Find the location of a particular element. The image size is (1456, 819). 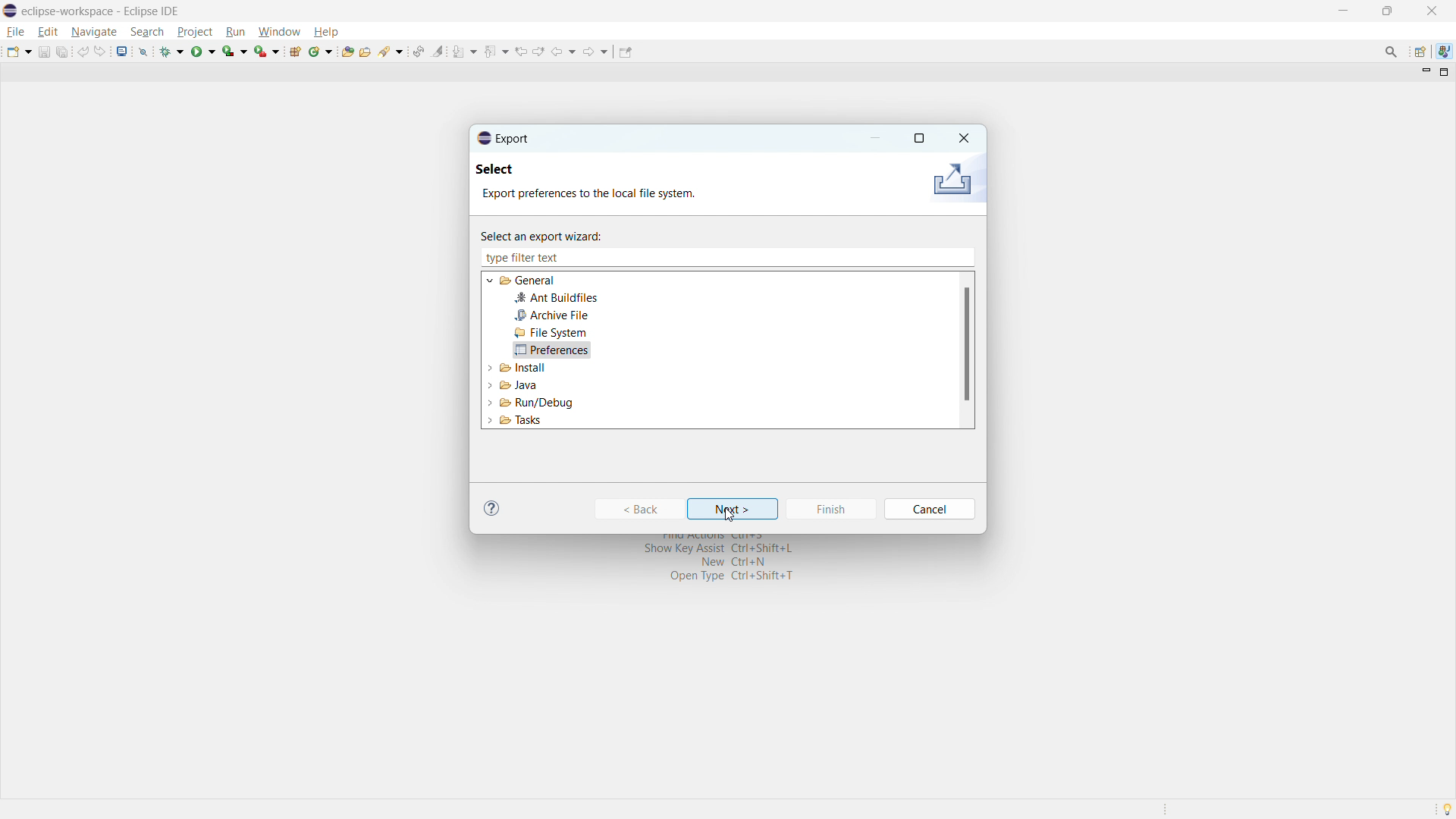

type filter text is located at coordinates (527, 257).